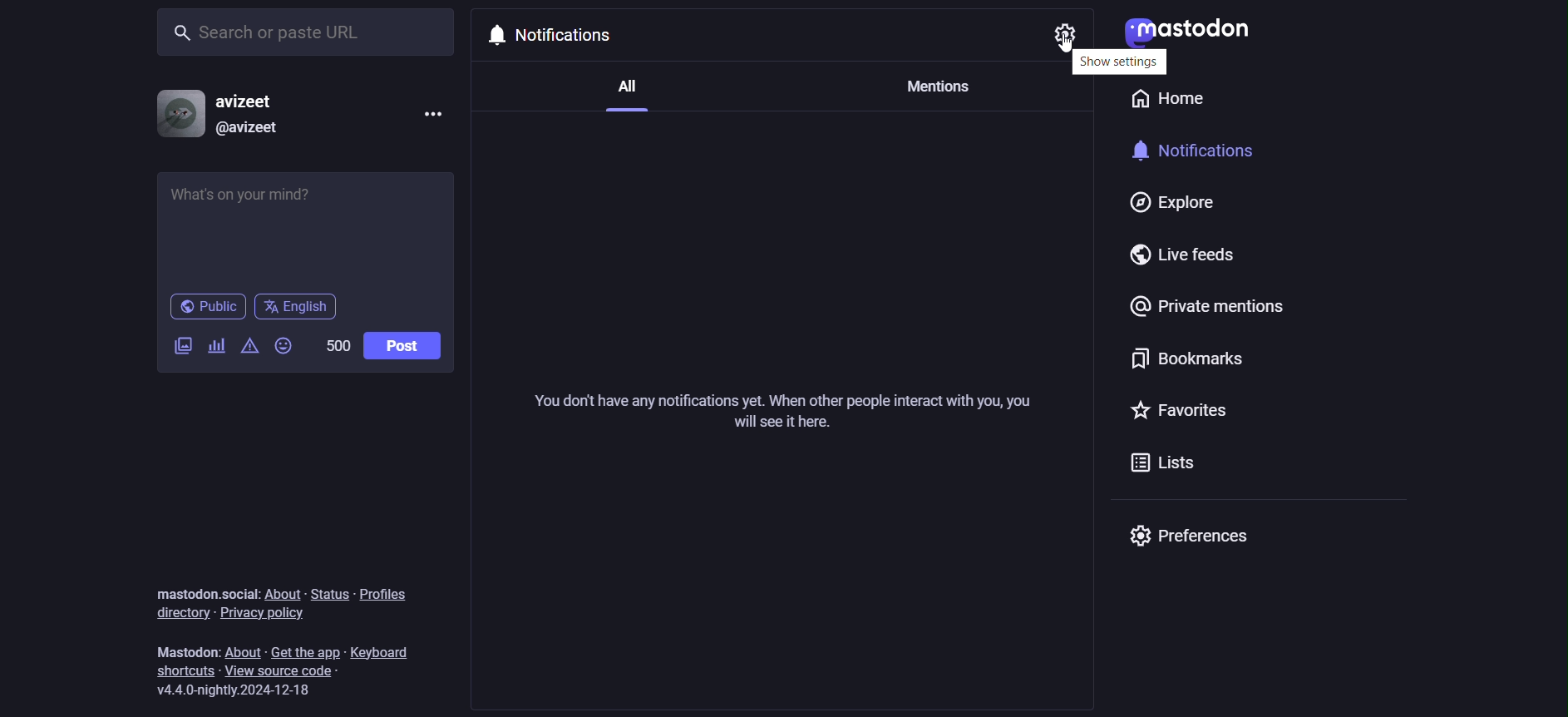  Describe the element at coordinates (405, 345) in the screenshot. I see `post` at that location.